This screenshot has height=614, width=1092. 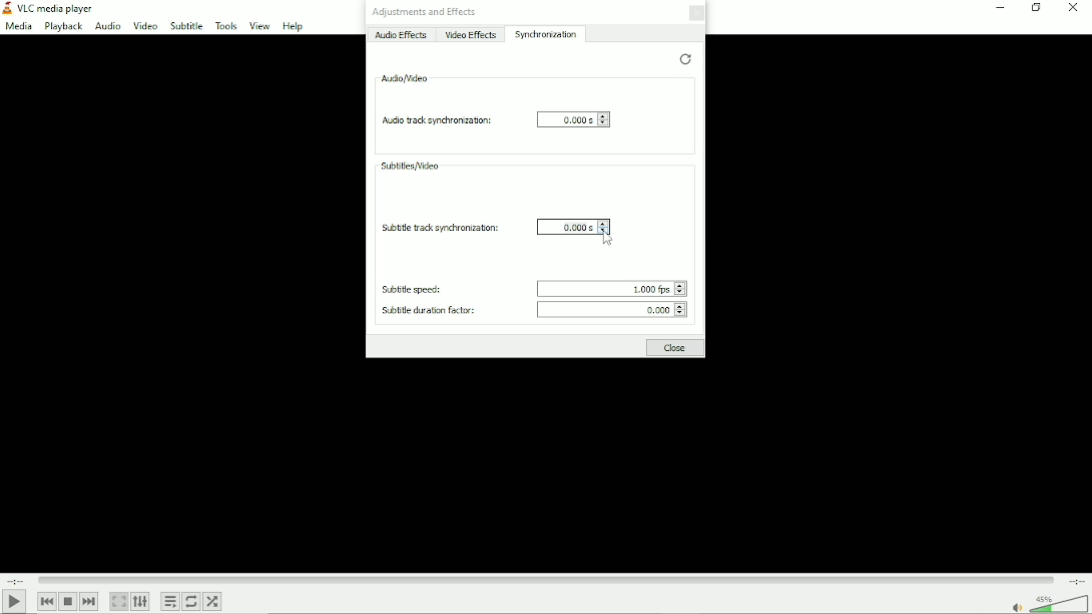 What do you see at coordinates (686, 59) in the screenshot?
I see `Restore` at bounding box center [686, 59].